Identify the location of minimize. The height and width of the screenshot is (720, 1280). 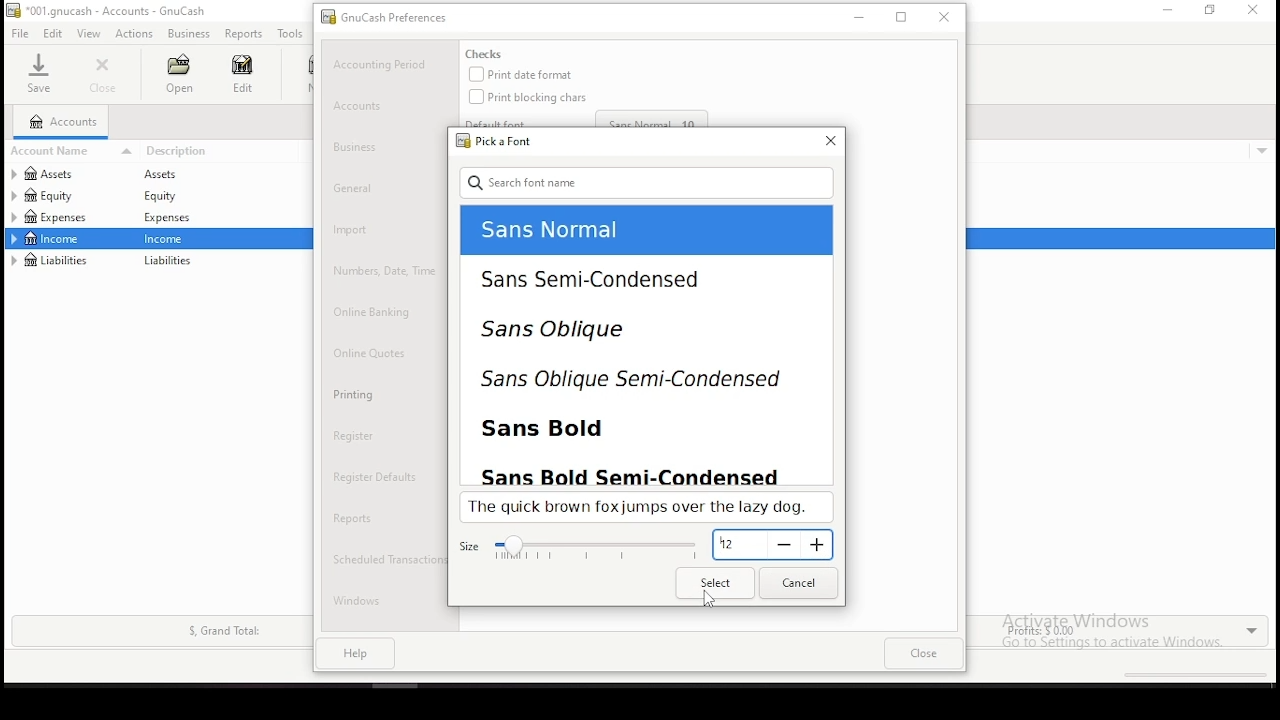
(1165, 10).